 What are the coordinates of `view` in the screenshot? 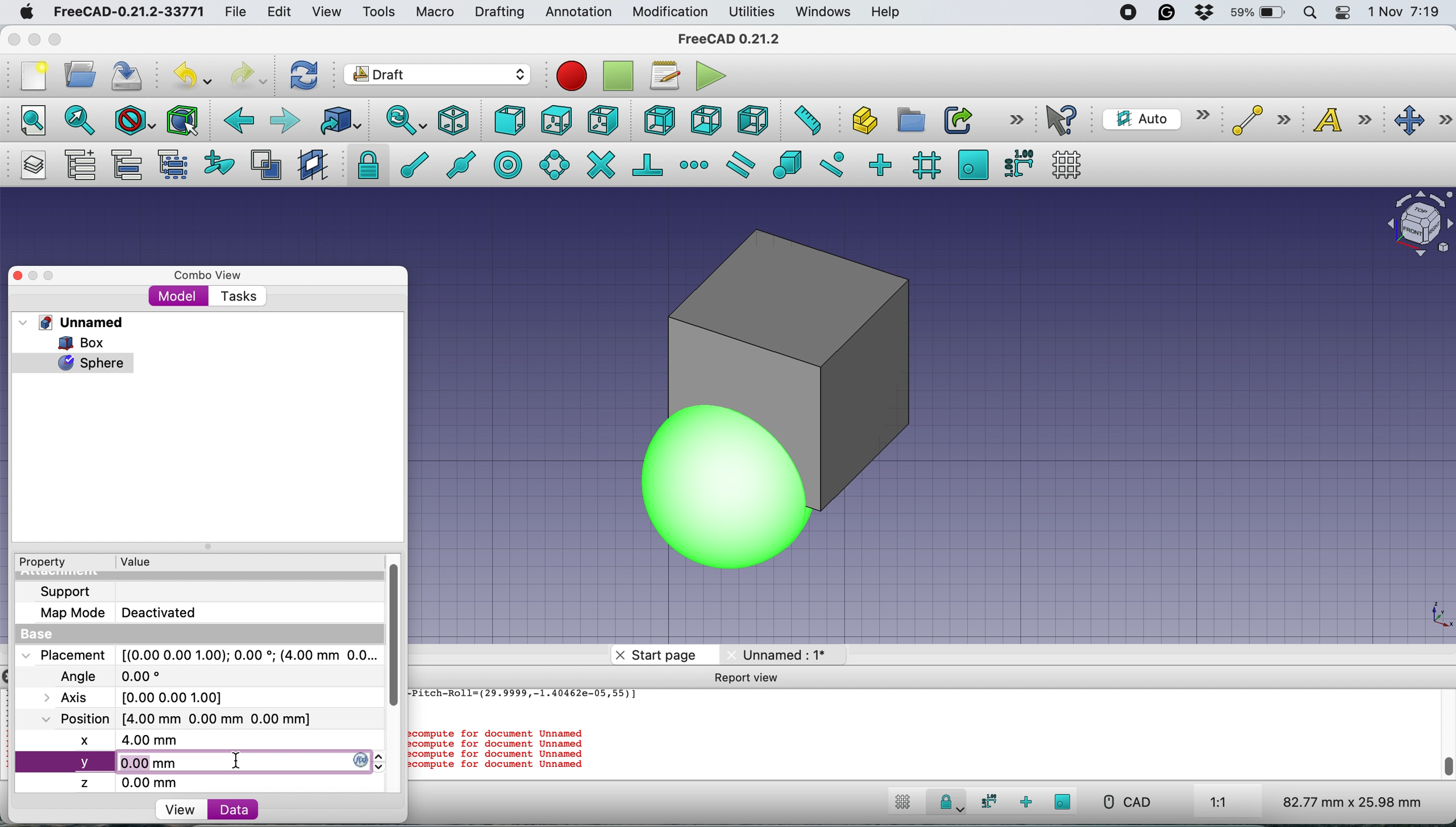 It's located at (331, 12).